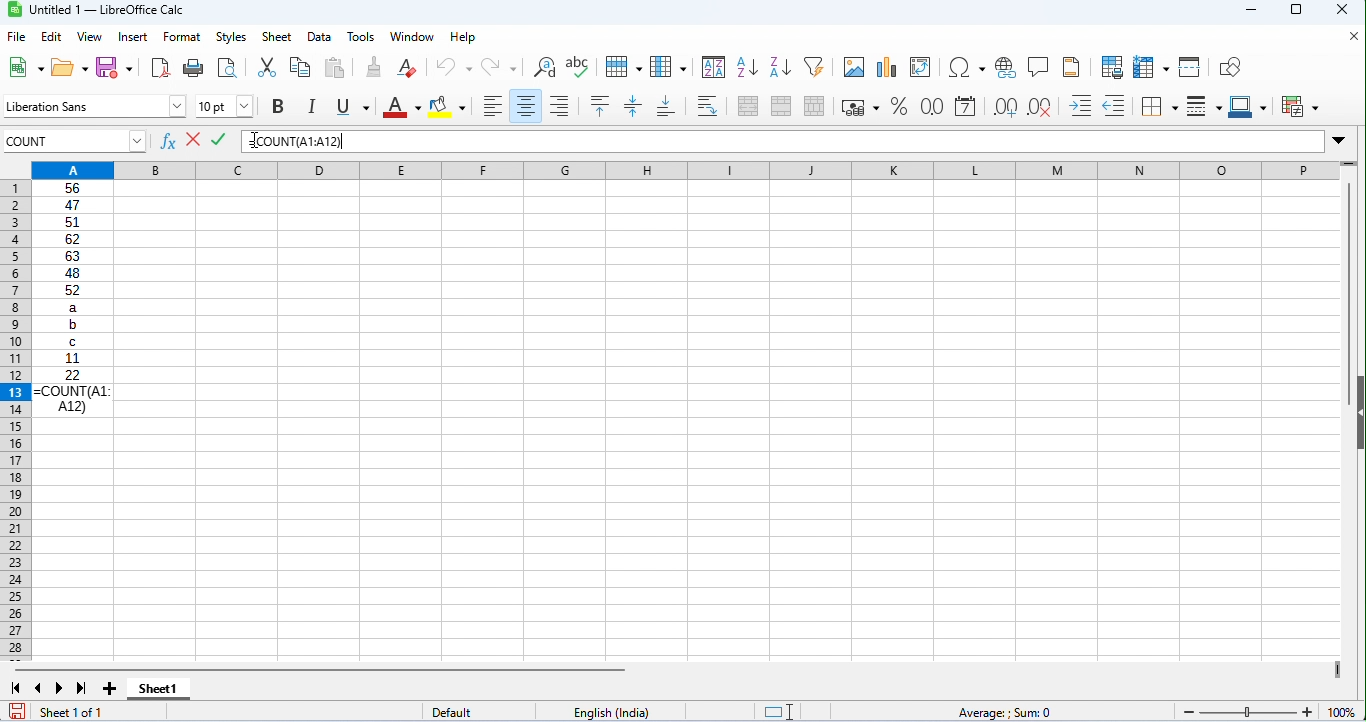  I want to click on sheet 1 of 1, so click(97, 711).